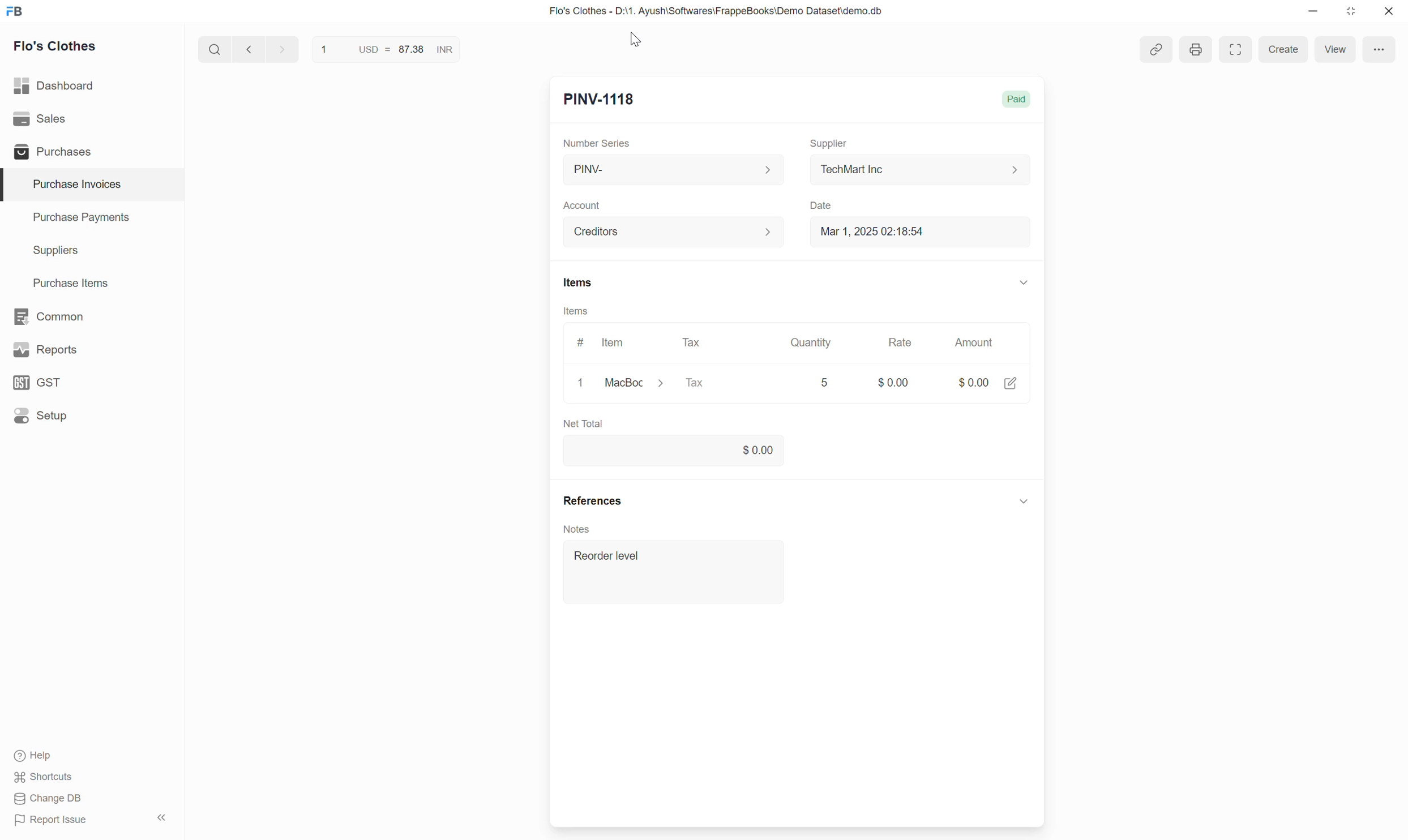 This screenshot has width=1408, height=840. I want to click on Creditors, so click(675, 232).